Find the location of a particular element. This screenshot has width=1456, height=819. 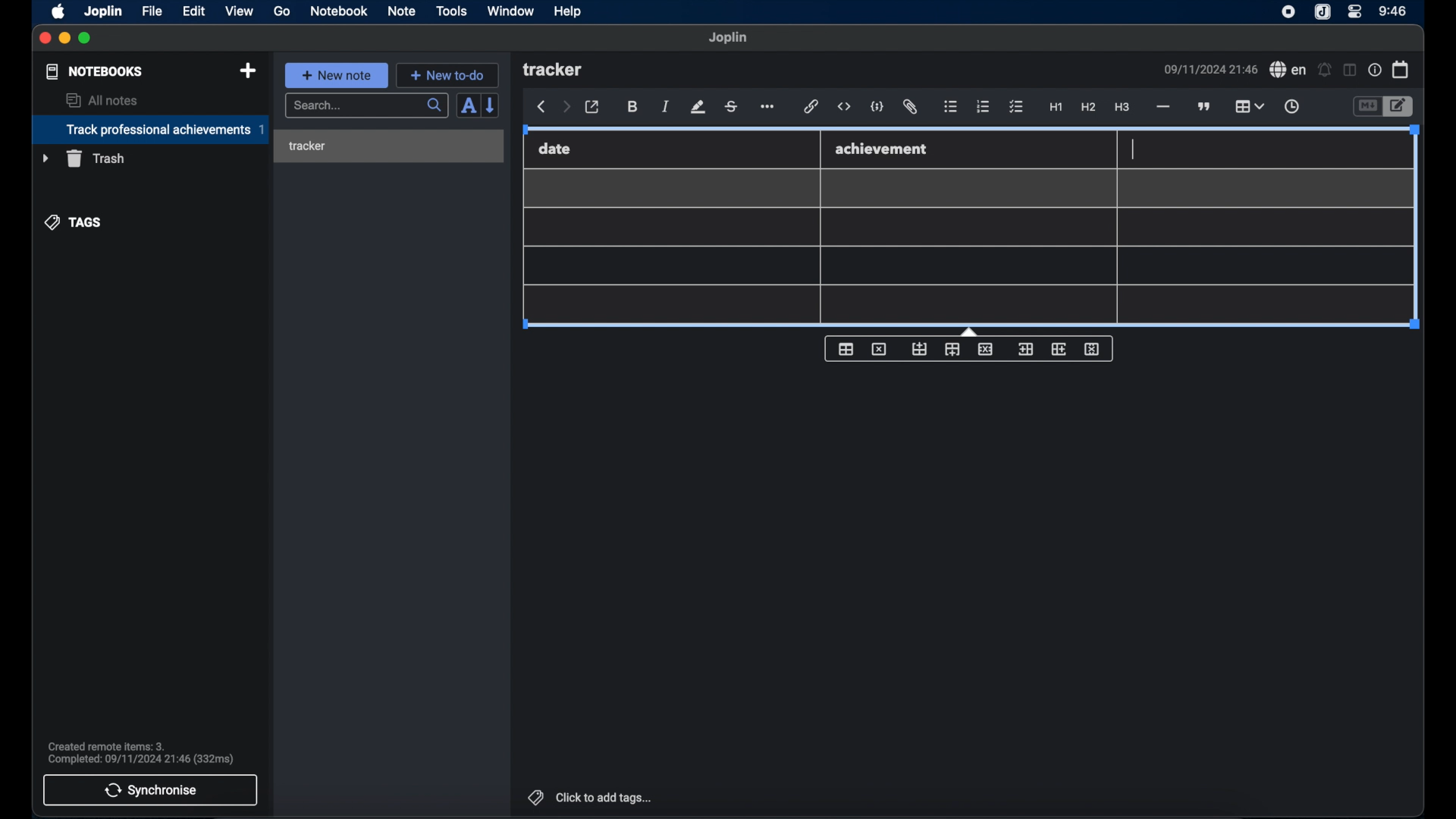

toggle editor is located at coordinates (1399, 106).